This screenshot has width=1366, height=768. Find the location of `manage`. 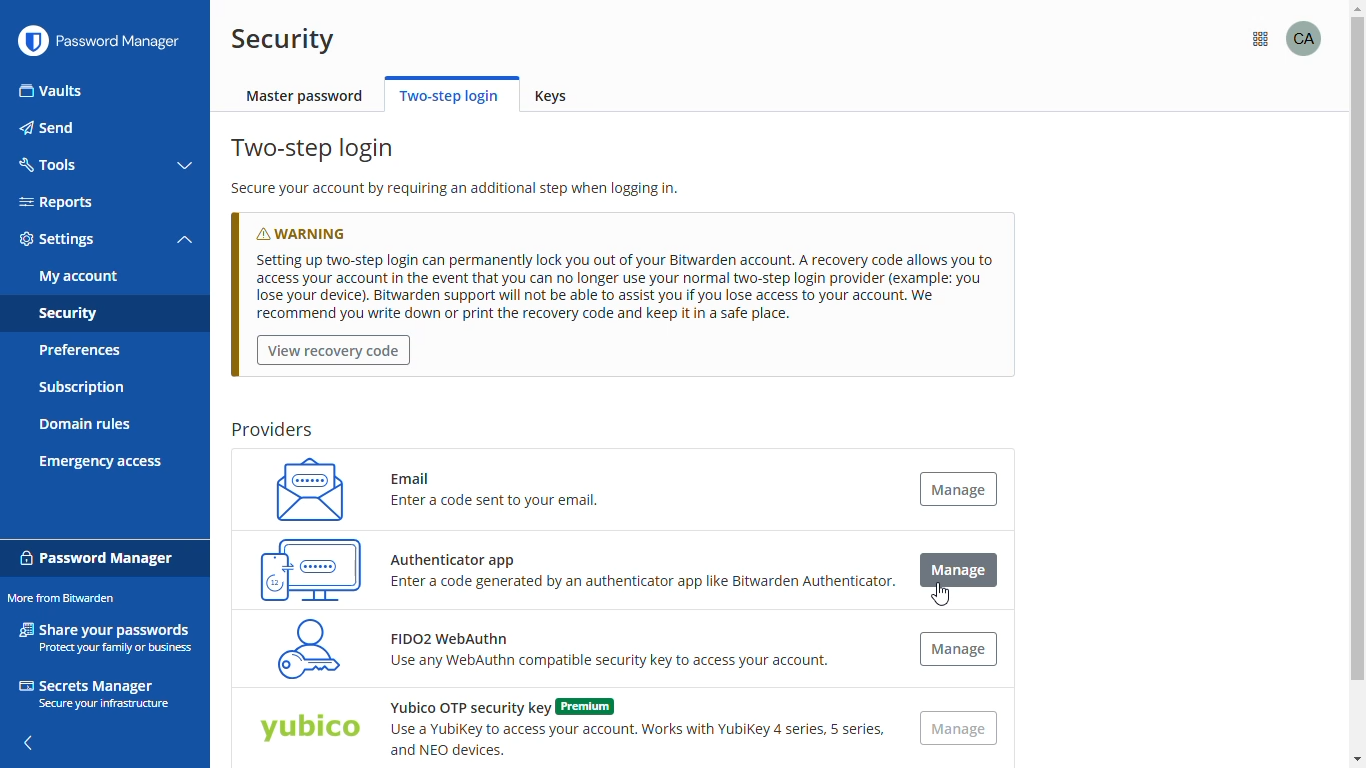

manage is located at coordinates (959, 569).